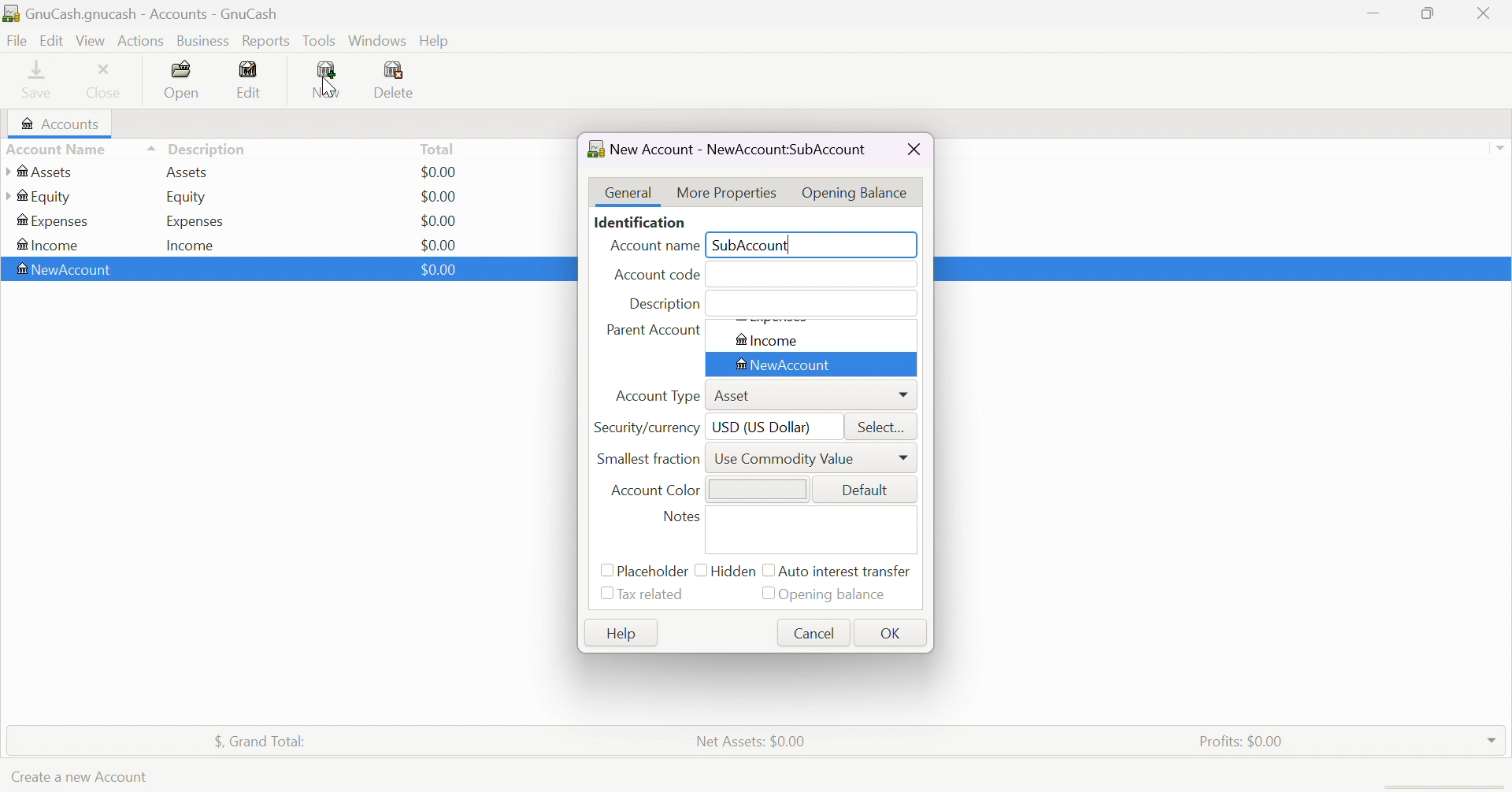 The width and height of the screenshot is (1512, 792). Describe the element at coordinates (437, 151) in the screenshot. I see `Total` at that location.